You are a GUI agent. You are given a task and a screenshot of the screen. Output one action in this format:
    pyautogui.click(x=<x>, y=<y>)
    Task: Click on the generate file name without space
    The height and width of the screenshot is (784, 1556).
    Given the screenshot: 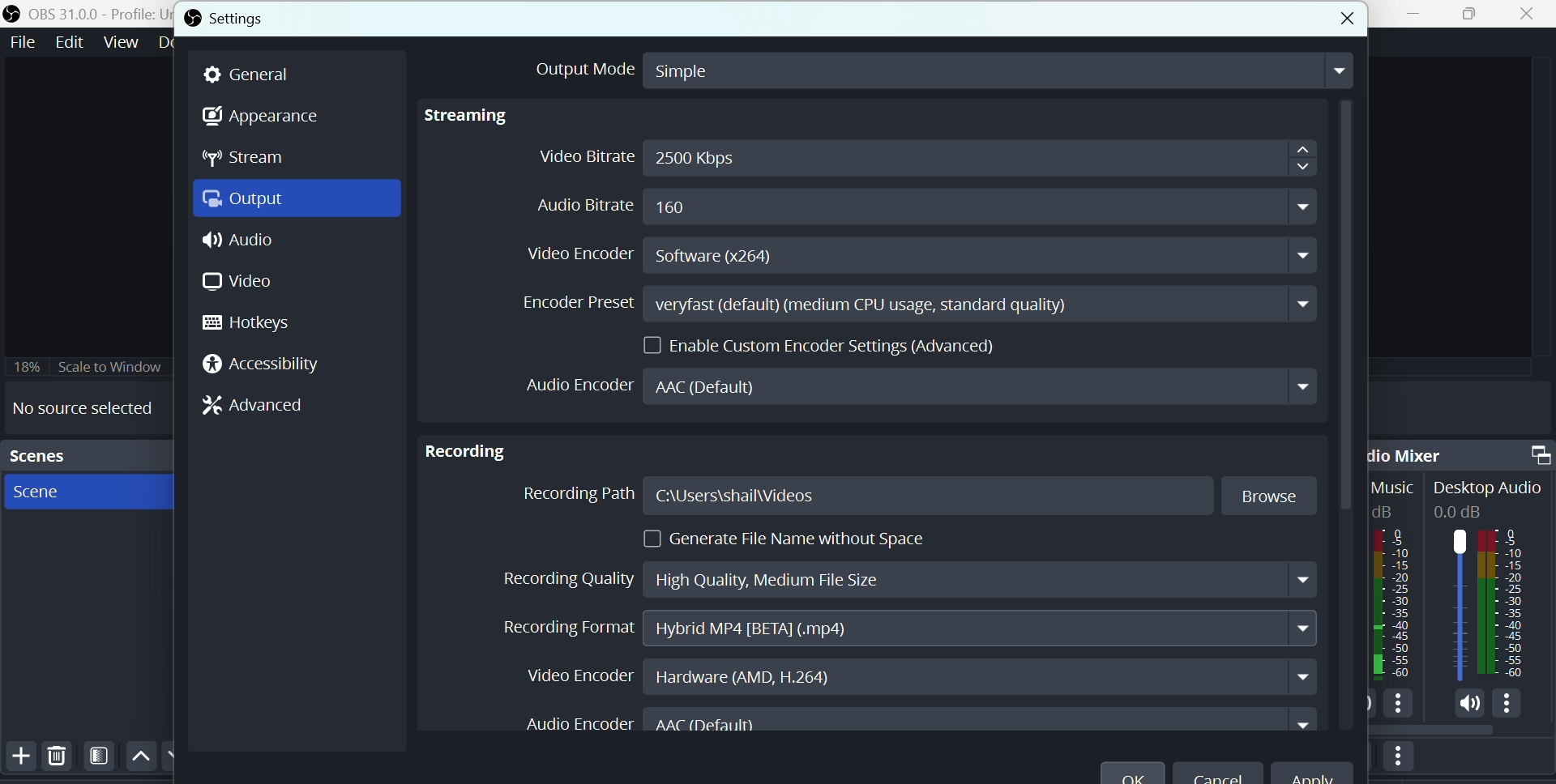 What is the action you would take?
    pyautogui.click(x=753, y=538)
    